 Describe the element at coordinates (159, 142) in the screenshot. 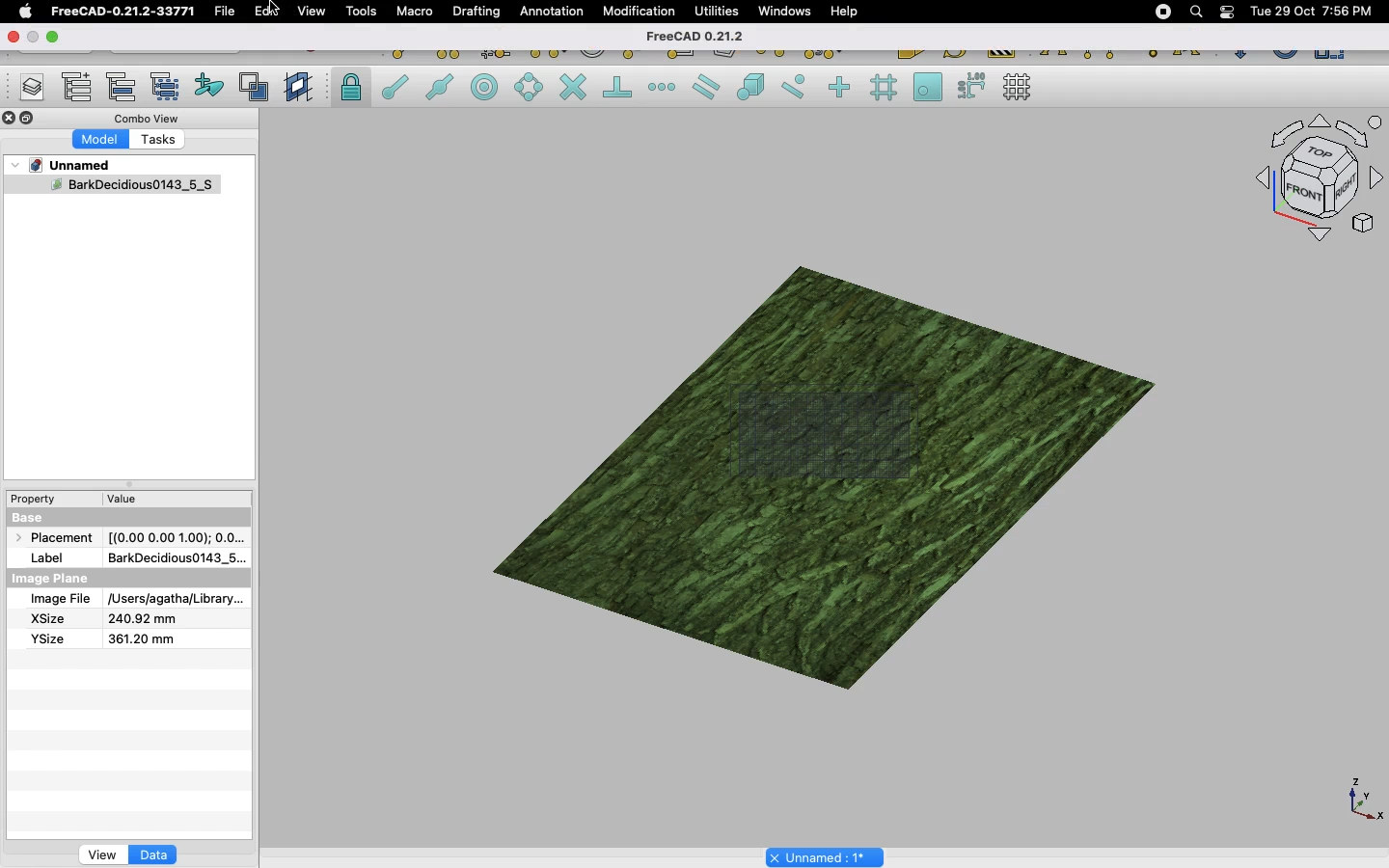

I see `Tasks` at that location.